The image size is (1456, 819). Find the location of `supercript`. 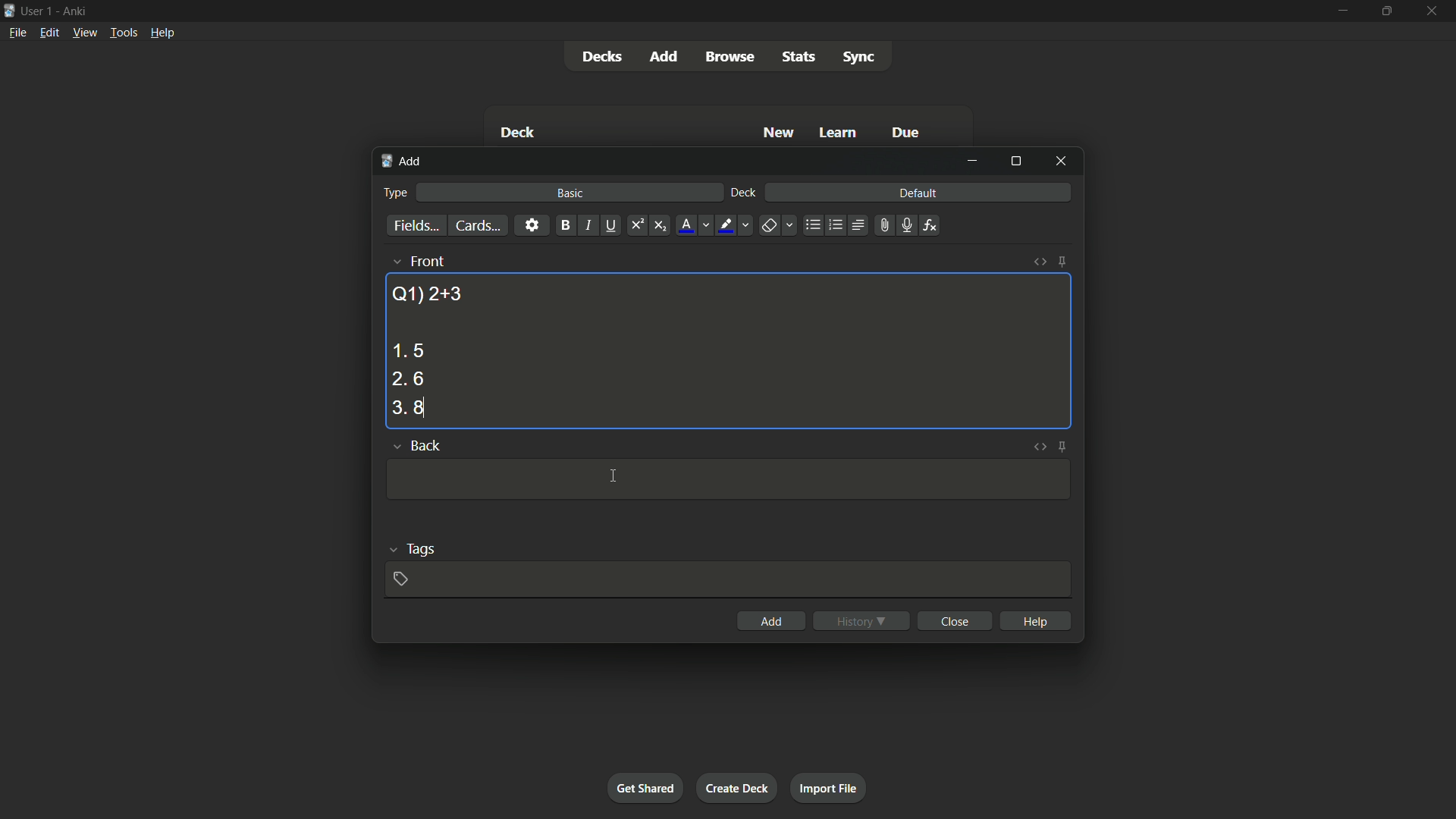

supercript is located at coordinates (635, 226).